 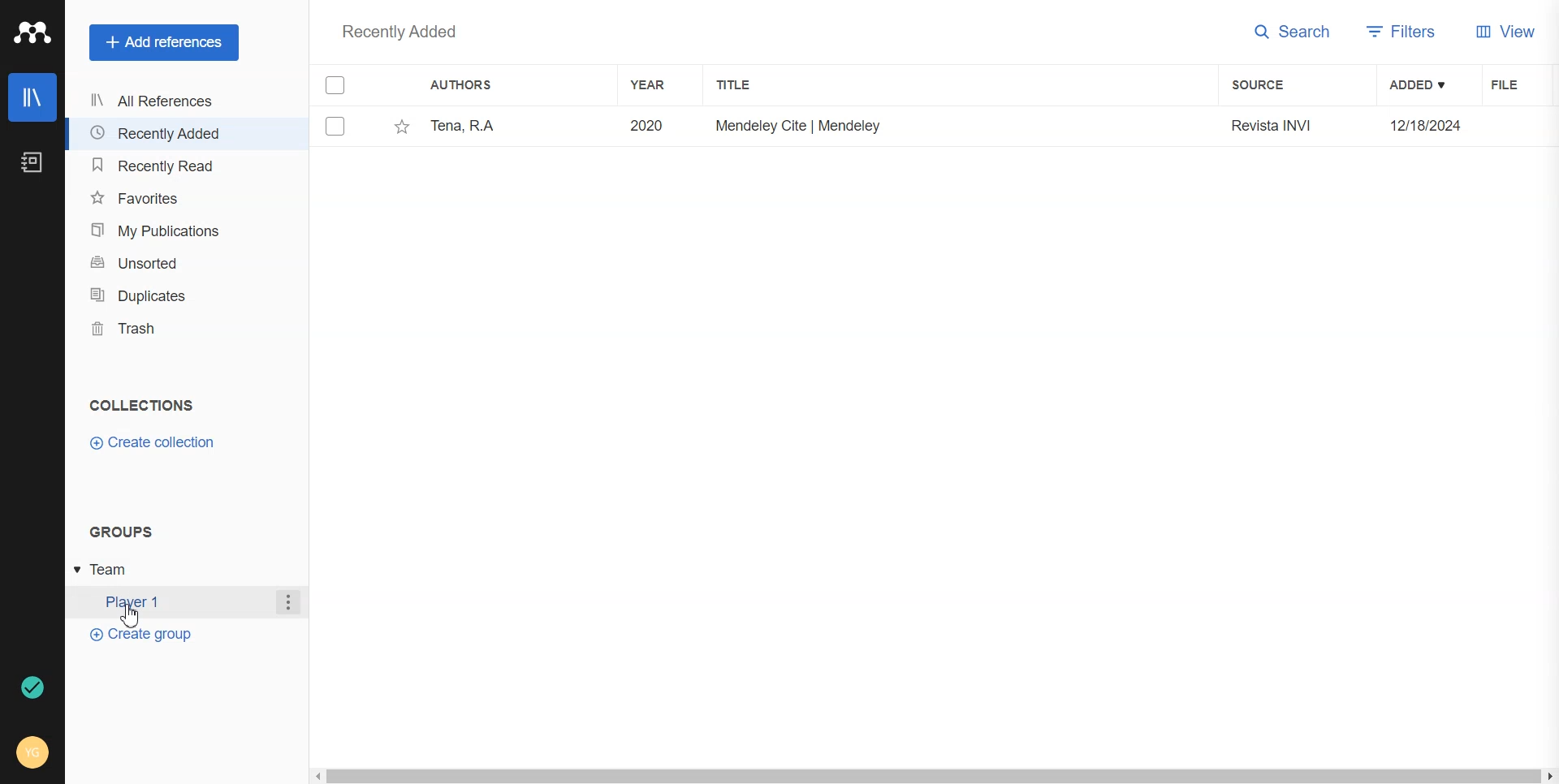 I want to click on File, so click(x=1518, y=84).